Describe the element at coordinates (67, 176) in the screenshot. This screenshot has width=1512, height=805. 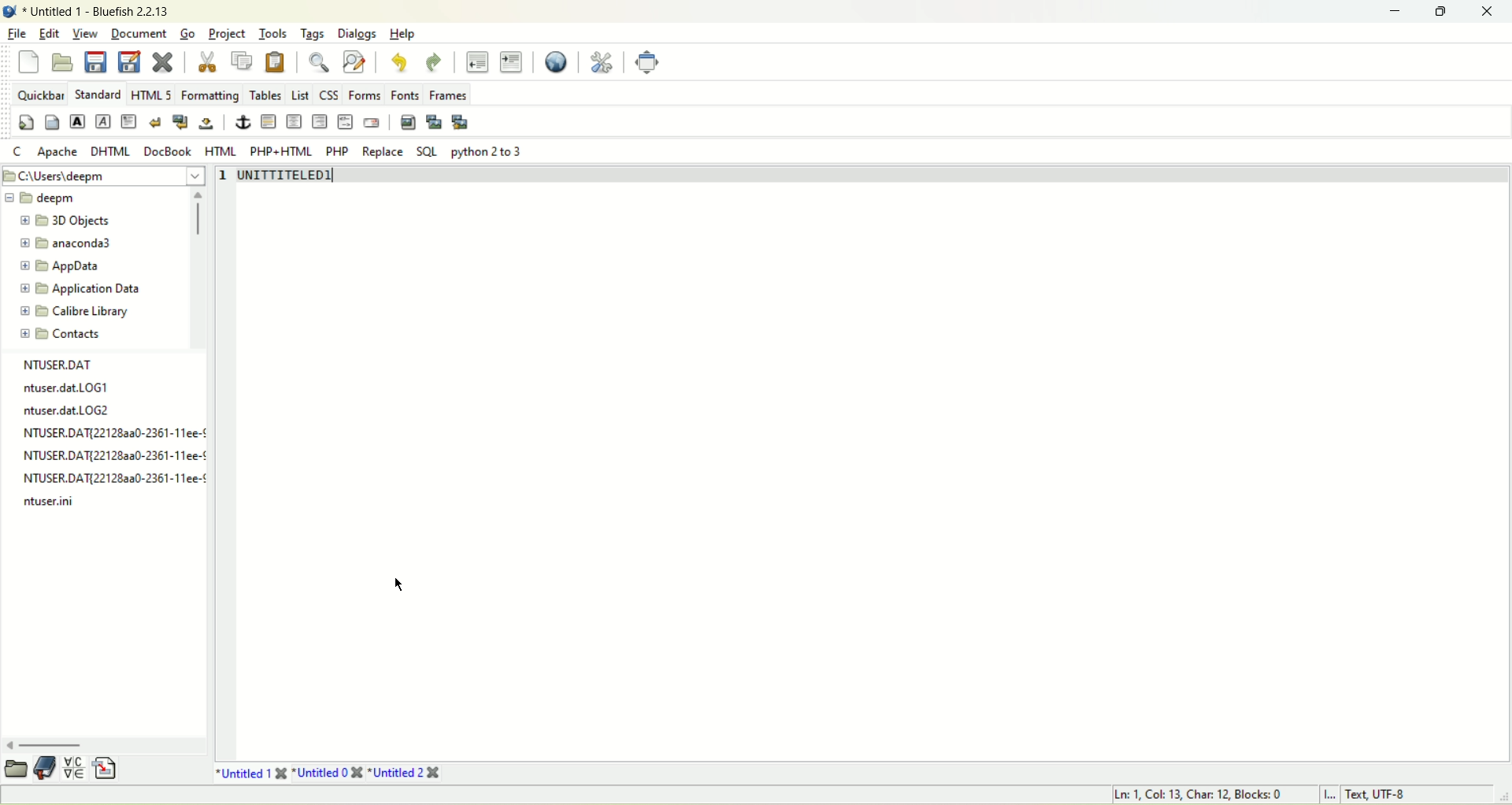
I see `file location` at that location.